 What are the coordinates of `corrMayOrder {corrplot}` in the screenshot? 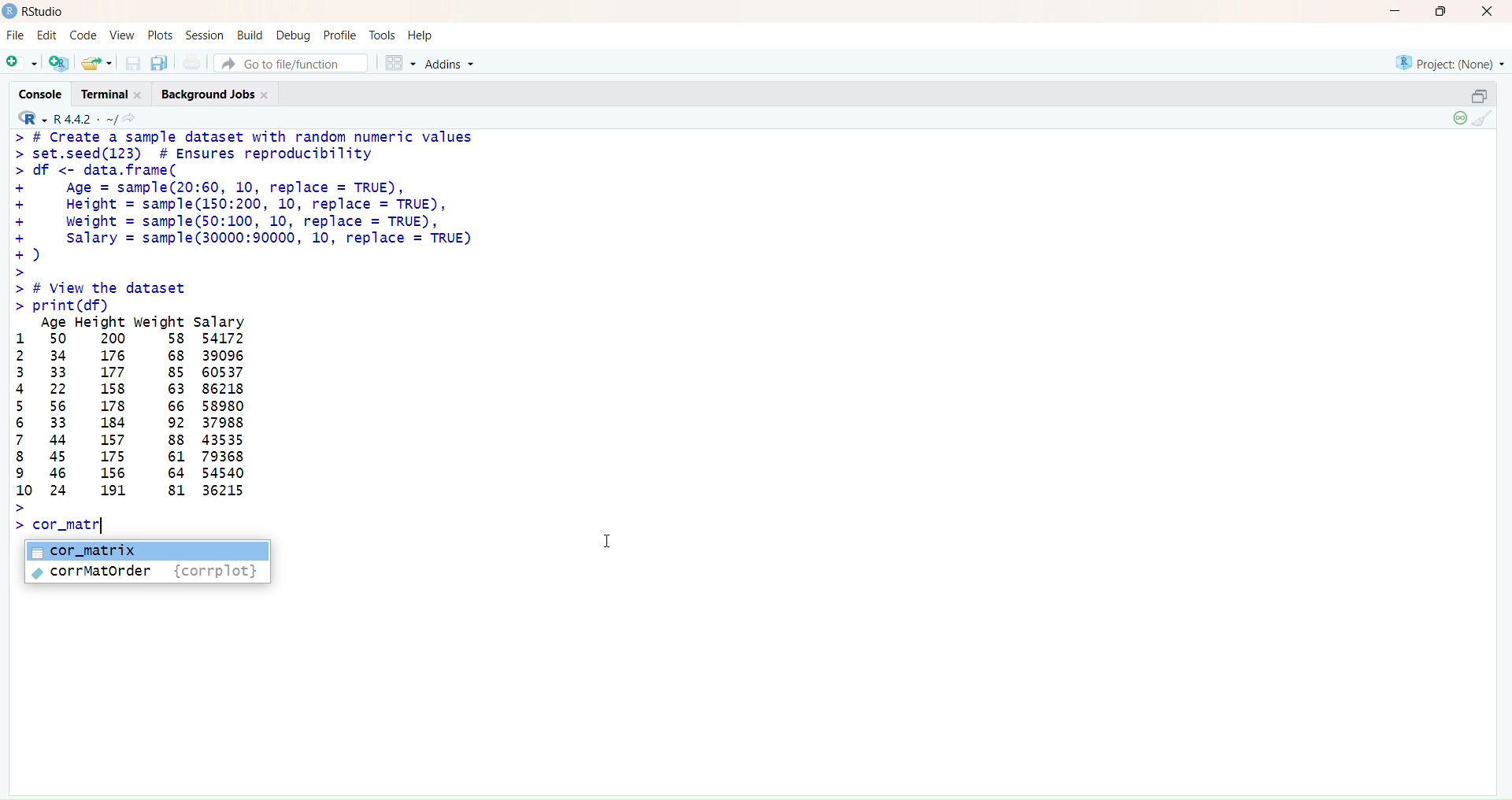 It's located at (146, 573).